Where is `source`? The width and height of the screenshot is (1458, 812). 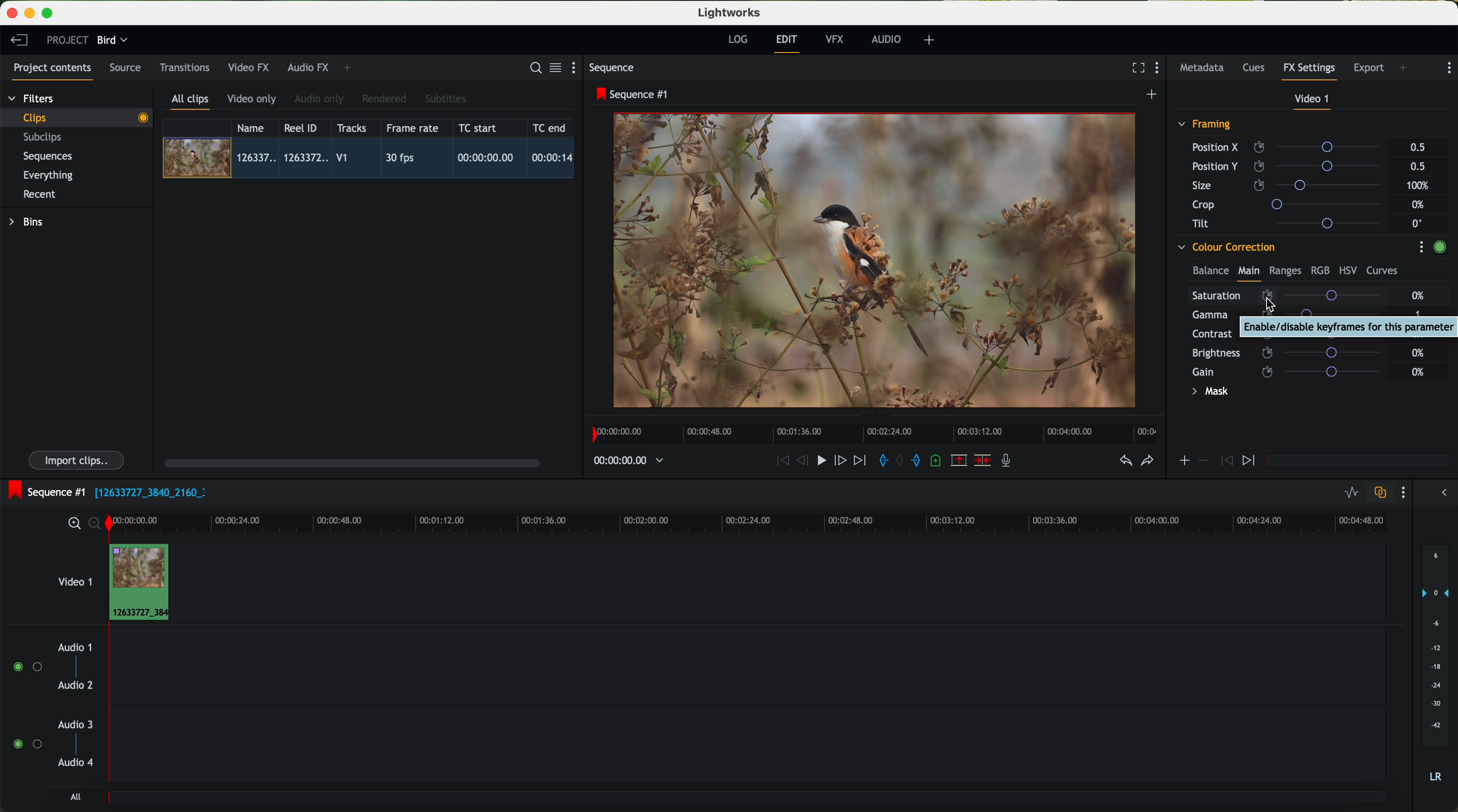
source is located at coordinates (125, 68).